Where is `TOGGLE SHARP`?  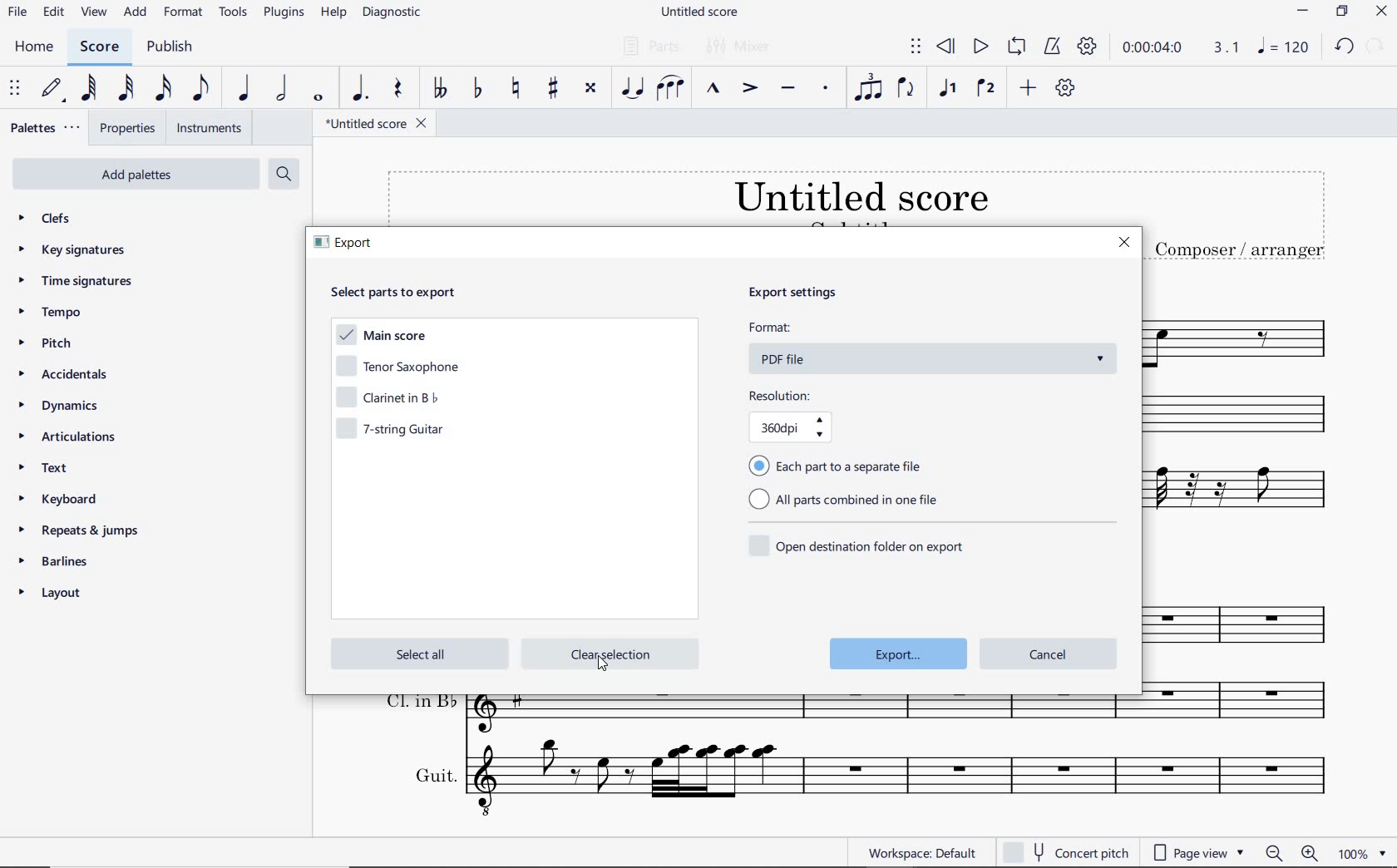 TOGGLE SHARP is located at coordinates (554, 90).